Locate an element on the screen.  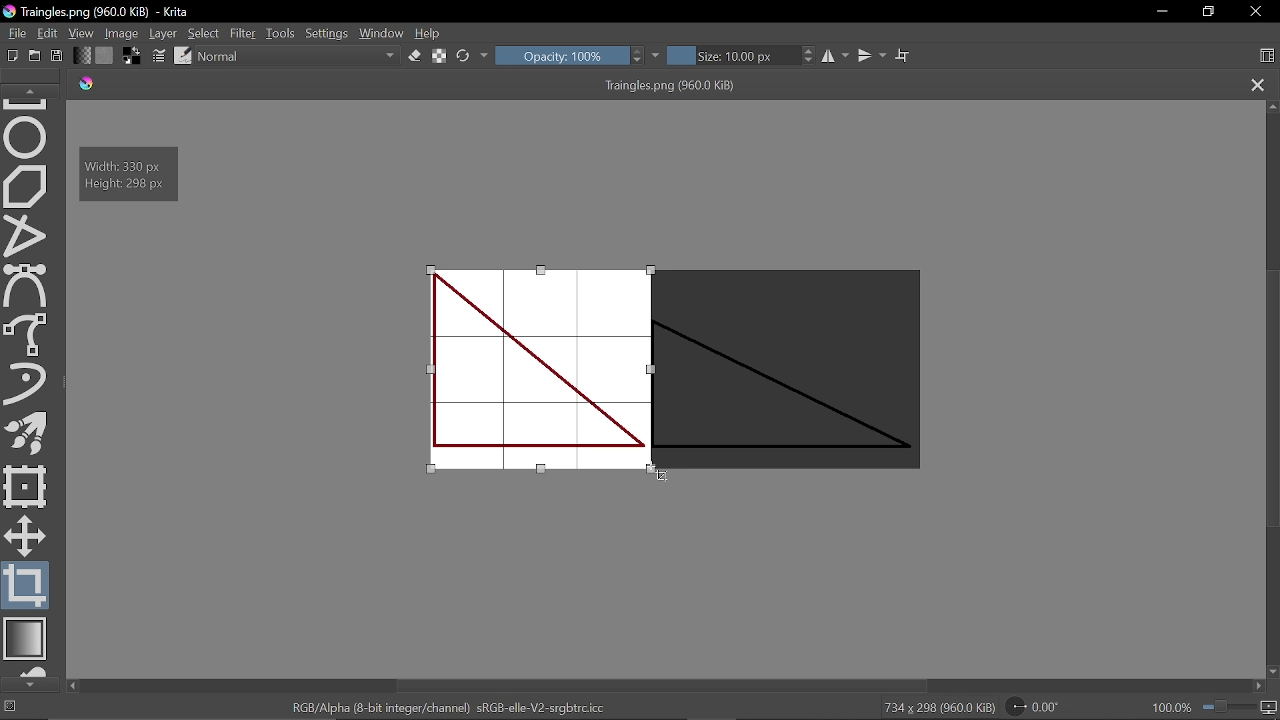
Width: 330 px Height: 298 px is located at coordinates (130, 174).